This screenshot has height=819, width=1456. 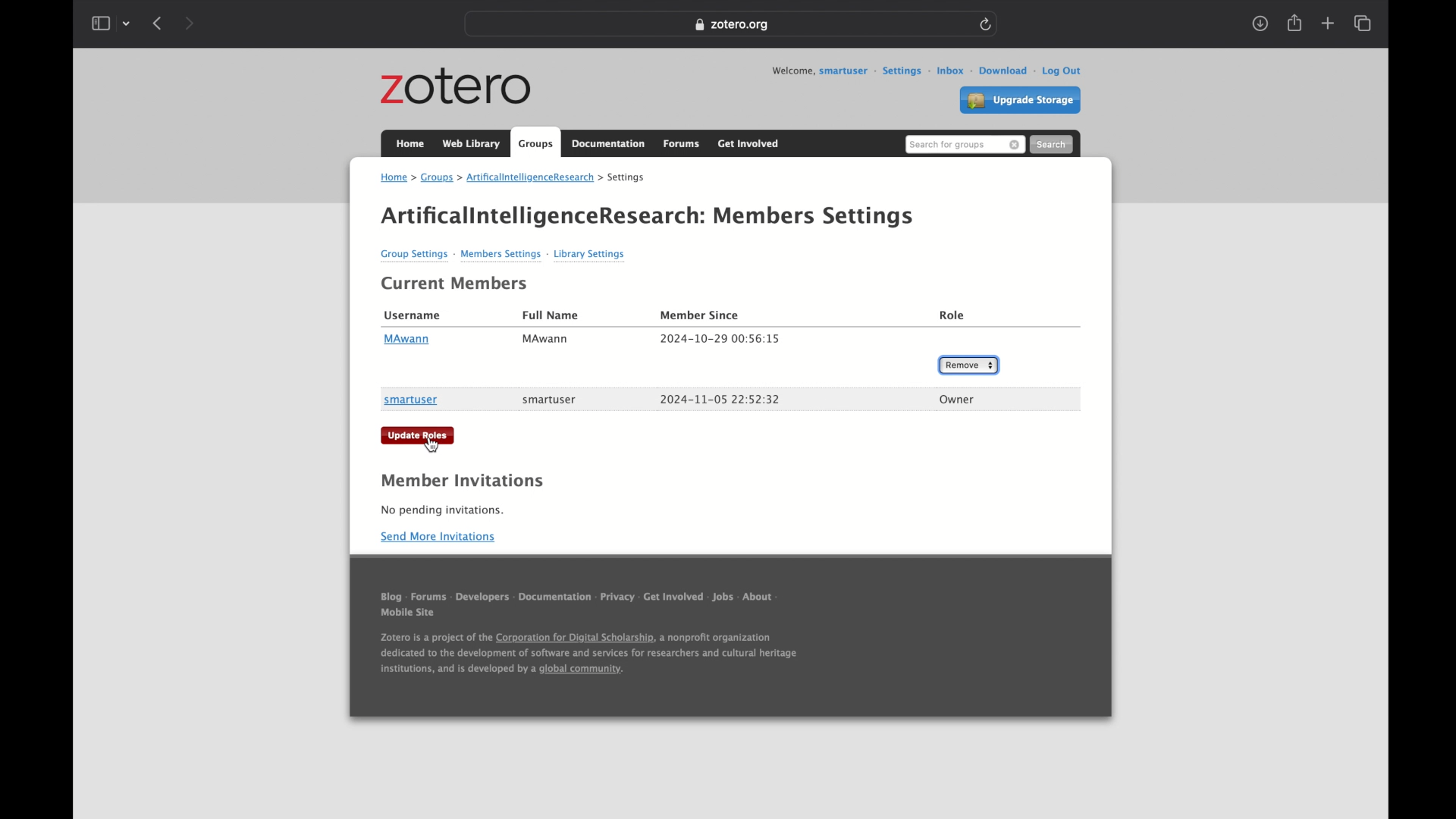 What do you see at coordinates (762, 601) in the screenshot?
I see `about` at bounding box center [762, 601].